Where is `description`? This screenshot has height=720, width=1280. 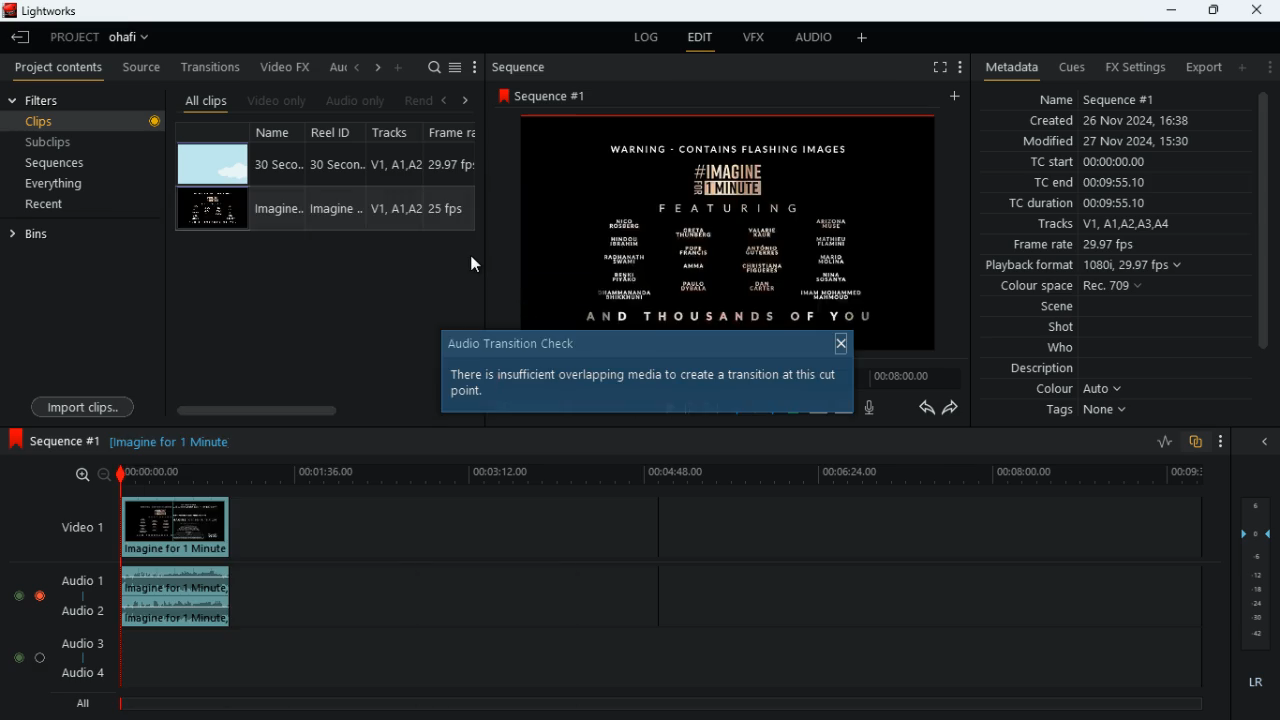 description is located at coordinates (1043, 369).